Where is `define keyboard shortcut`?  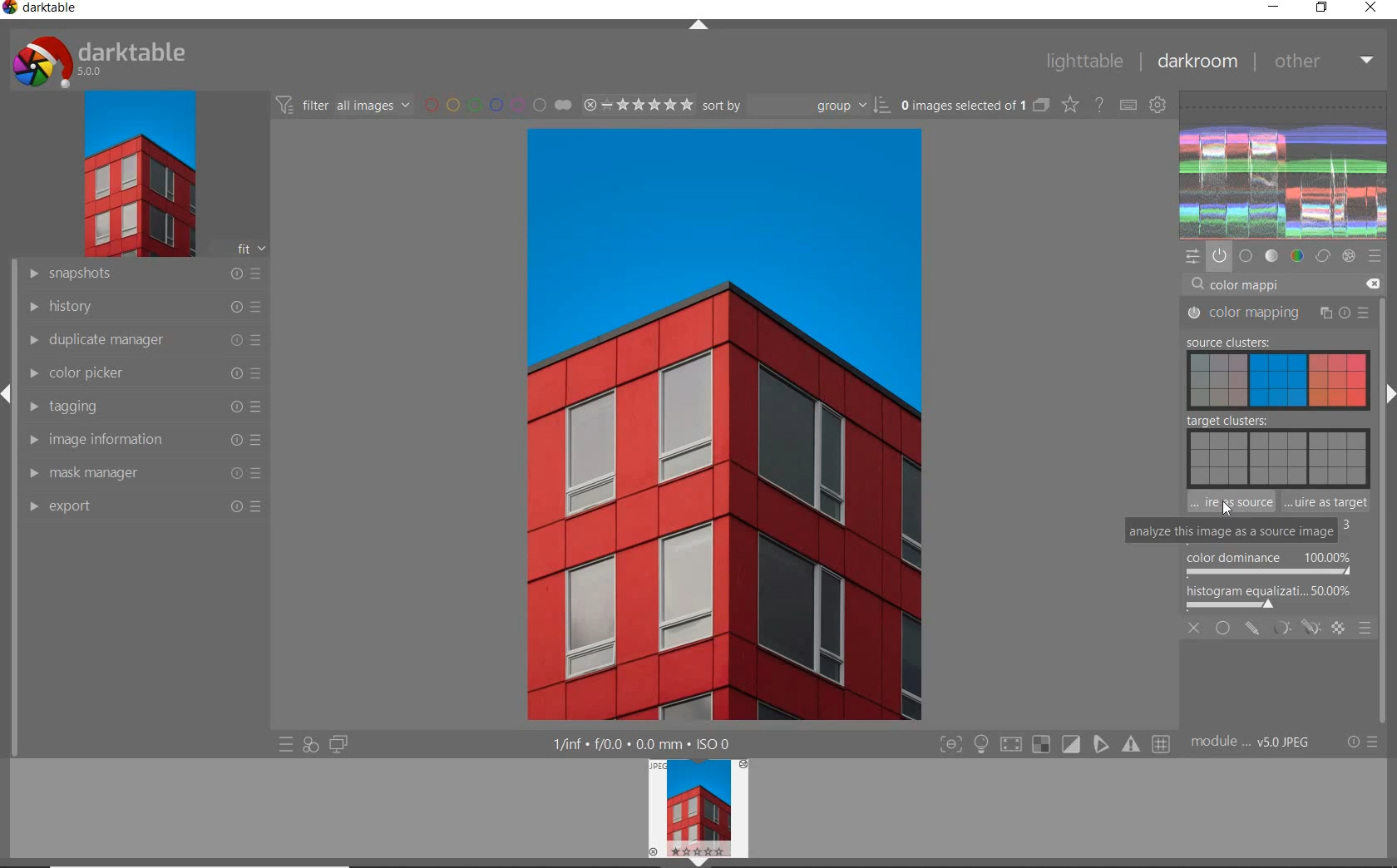 define keyboard shortcut is located at coordinates (1128, 105).